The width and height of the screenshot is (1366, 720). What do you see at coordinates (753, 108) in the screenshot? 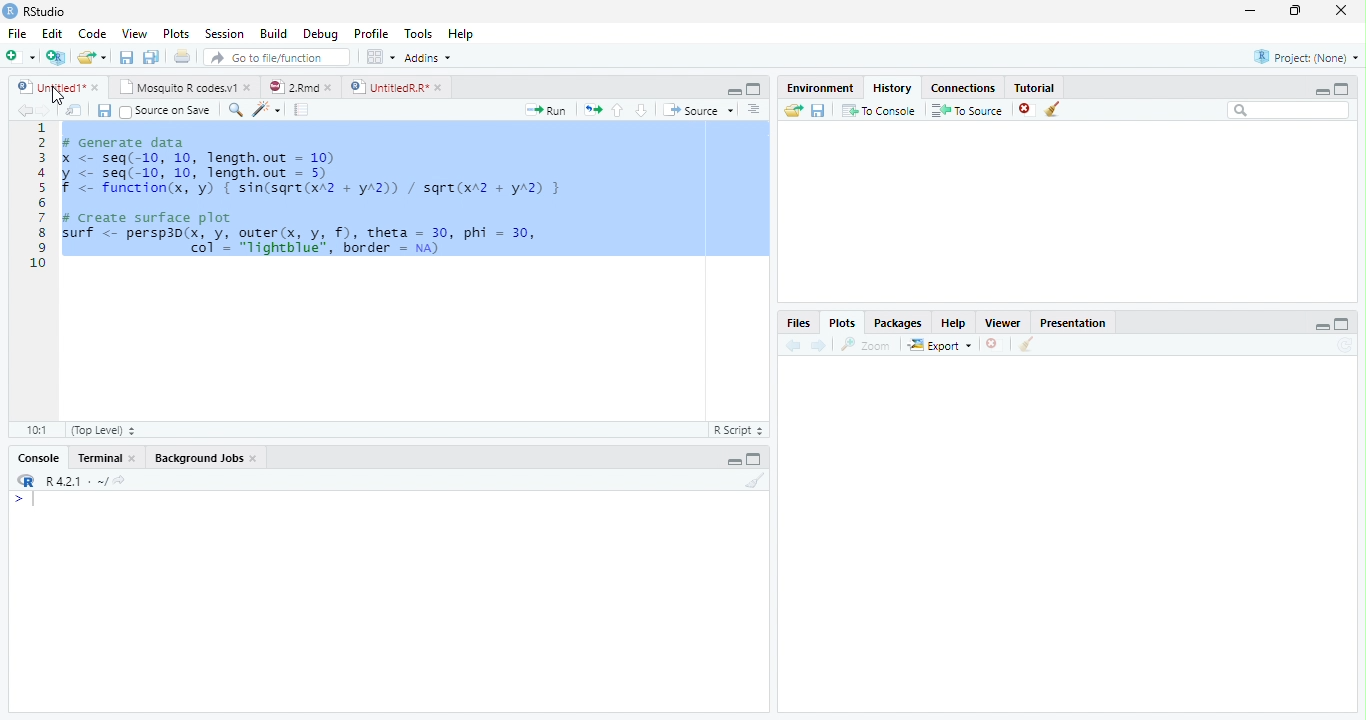
I see `Show document outline` at bounding box center [753, 108].